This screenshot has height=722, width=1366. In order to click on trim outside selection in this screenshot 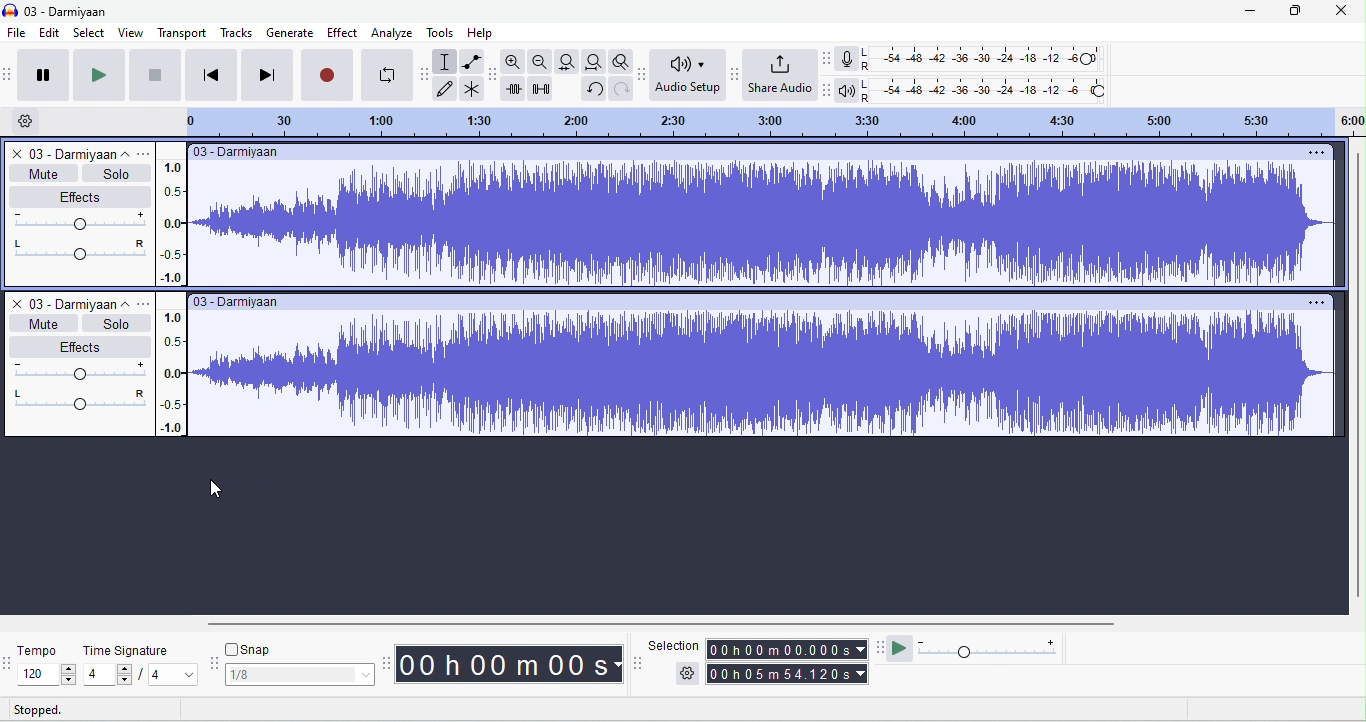, I will do `click(512, 89)`.